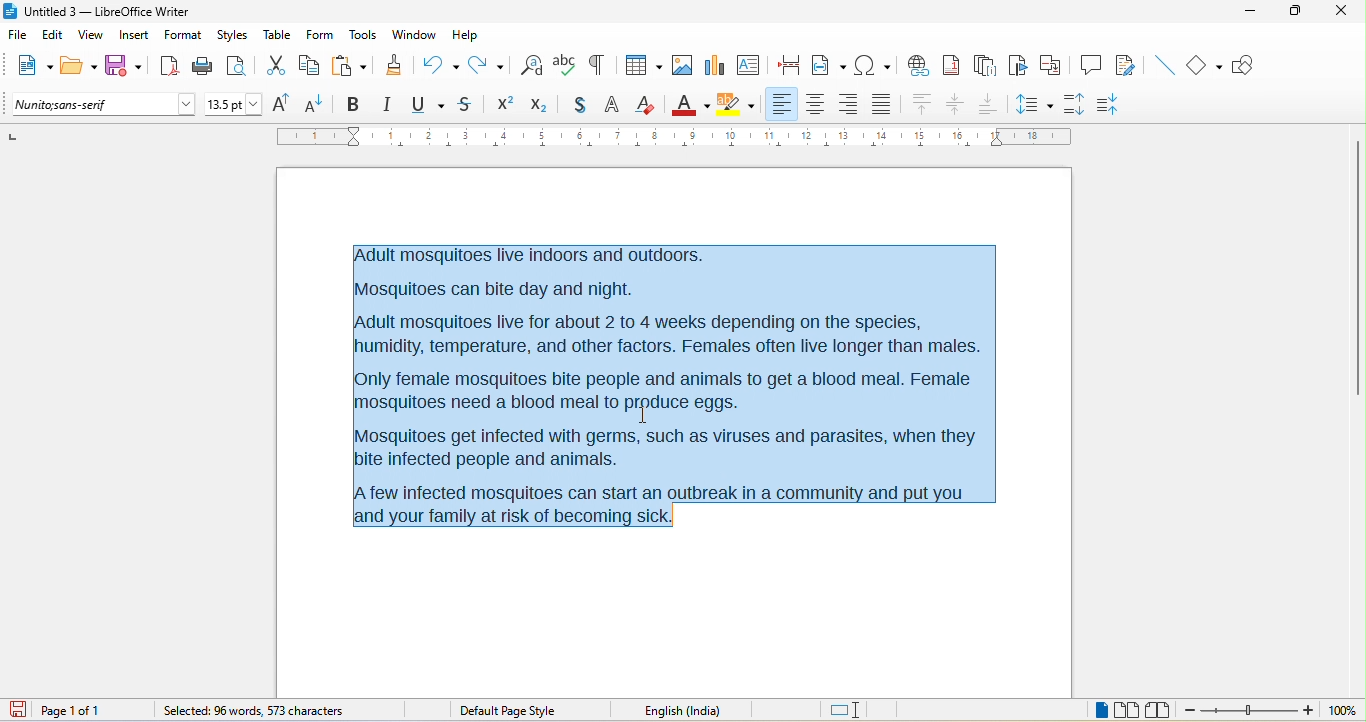 The image size is (1366, 722). Describe the element at coordinates (648, 106) in the screenshot. I see `clear direct formatting` at that location.